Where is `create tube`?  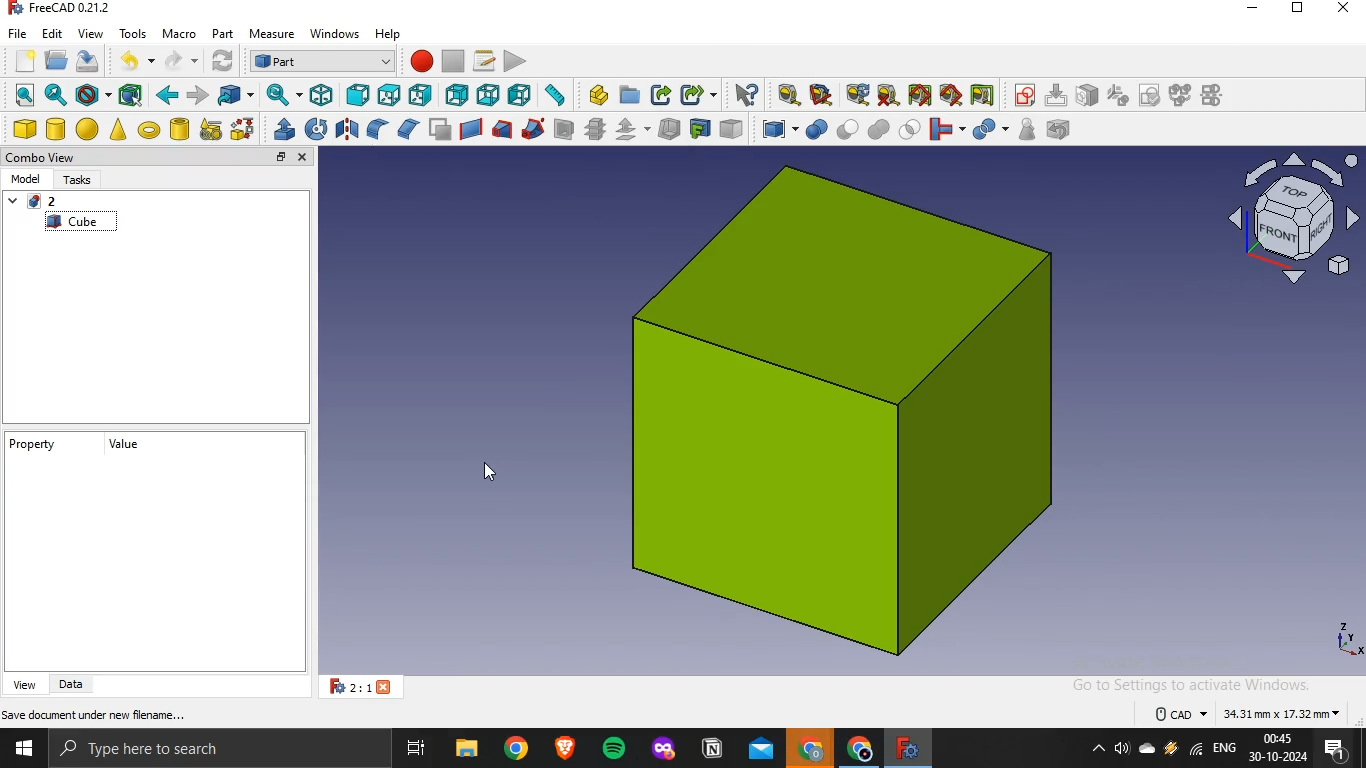 create tube is located at coordinates (178, 128).